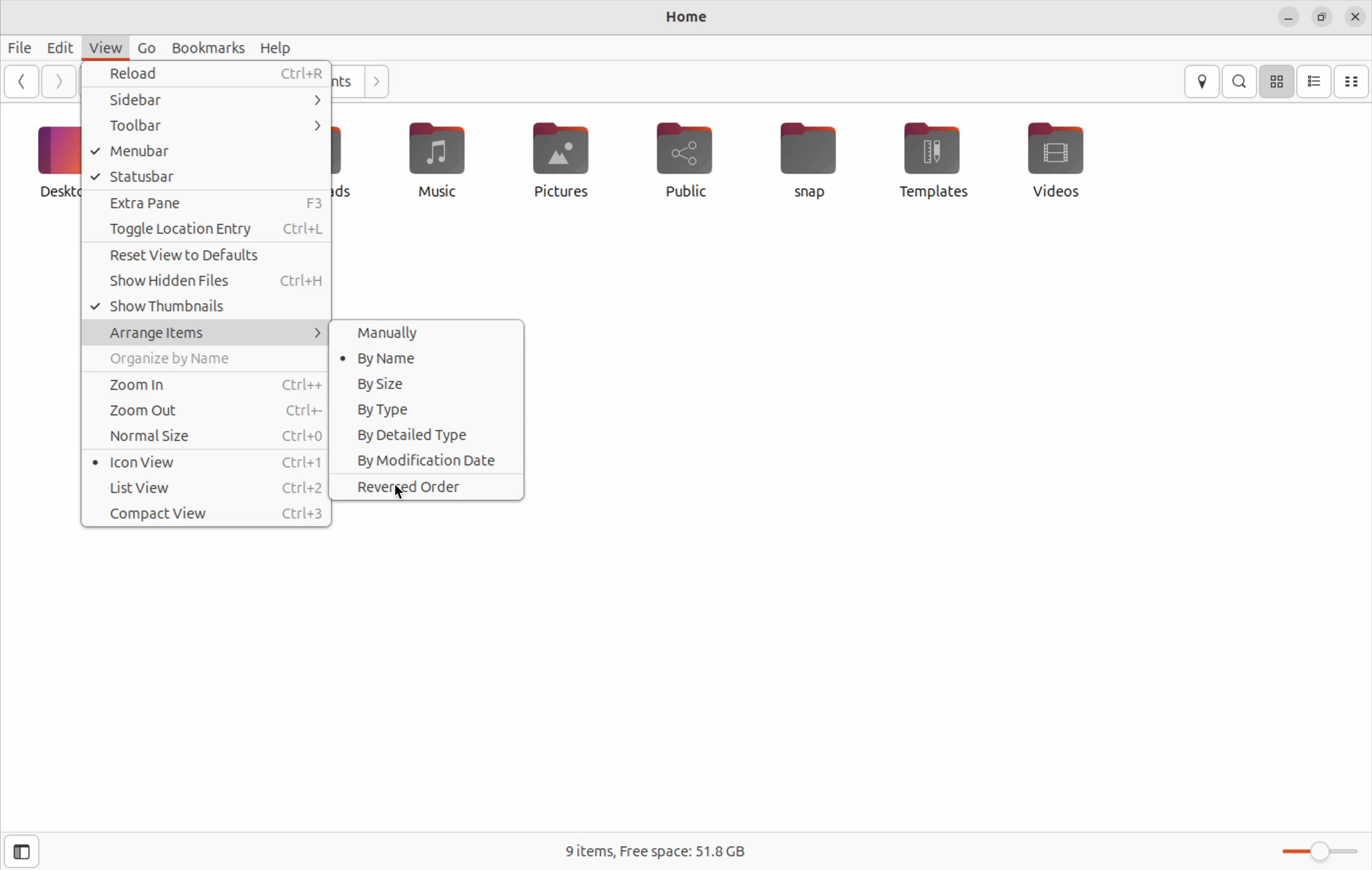  What do you see at coordinates (656, 850) in the screenshot?
I see ` free space ` at bounding box center [656, 850].